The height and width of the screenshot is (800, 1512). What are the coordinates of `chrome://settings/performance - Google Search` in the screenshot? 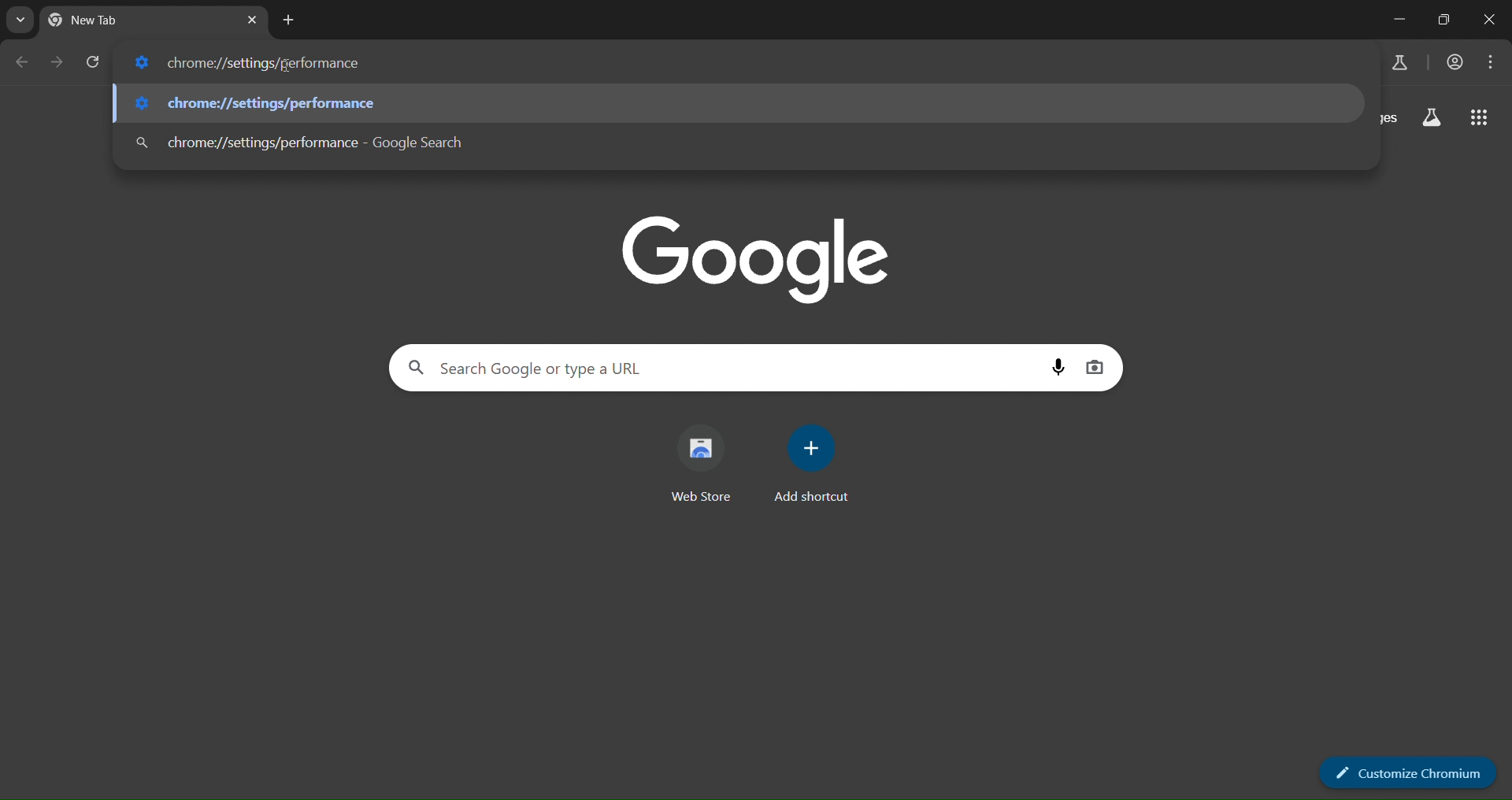 It's located at (732, 143).